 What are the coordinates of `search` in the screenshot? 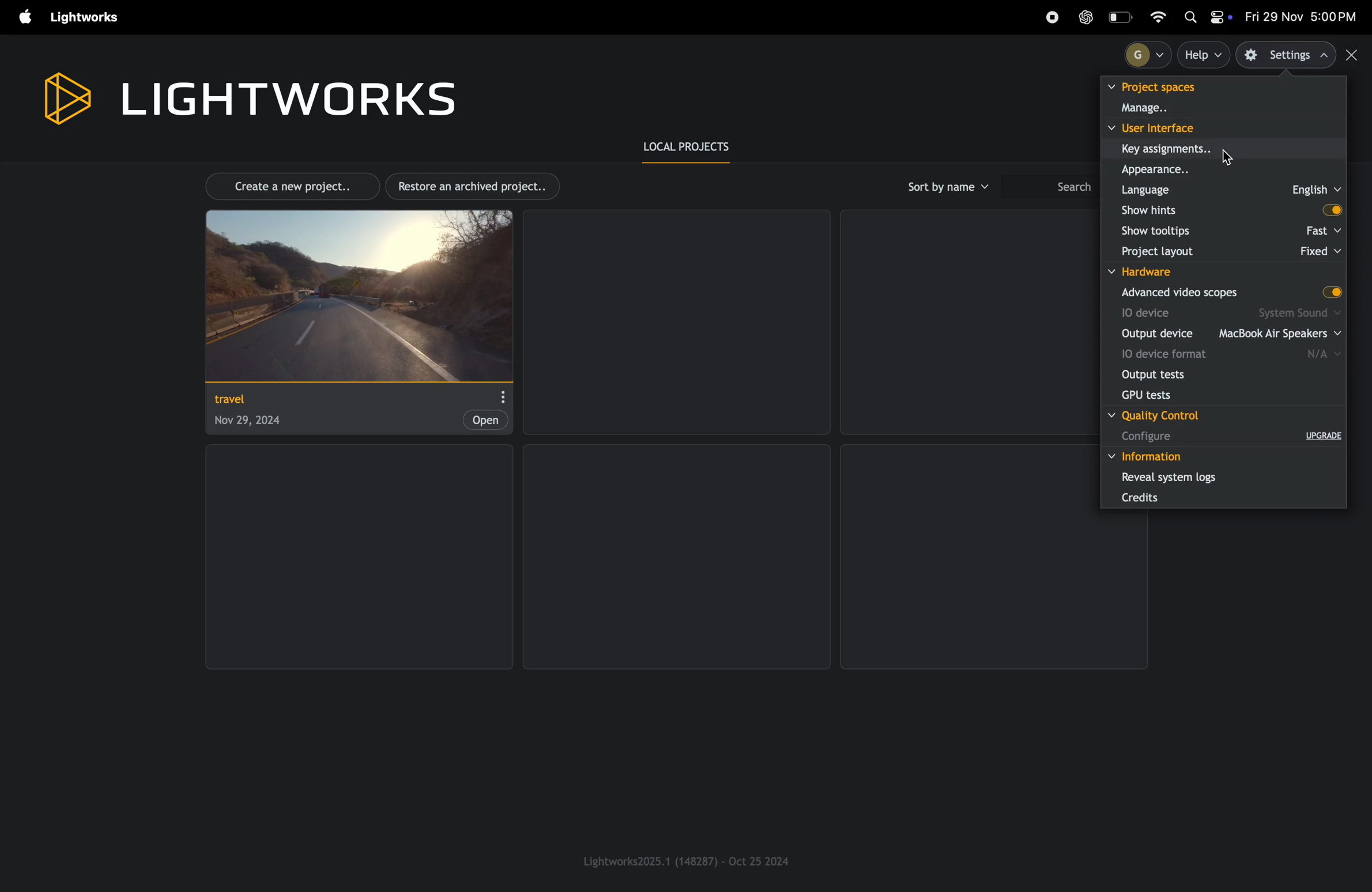 It's located at (1234, 158).